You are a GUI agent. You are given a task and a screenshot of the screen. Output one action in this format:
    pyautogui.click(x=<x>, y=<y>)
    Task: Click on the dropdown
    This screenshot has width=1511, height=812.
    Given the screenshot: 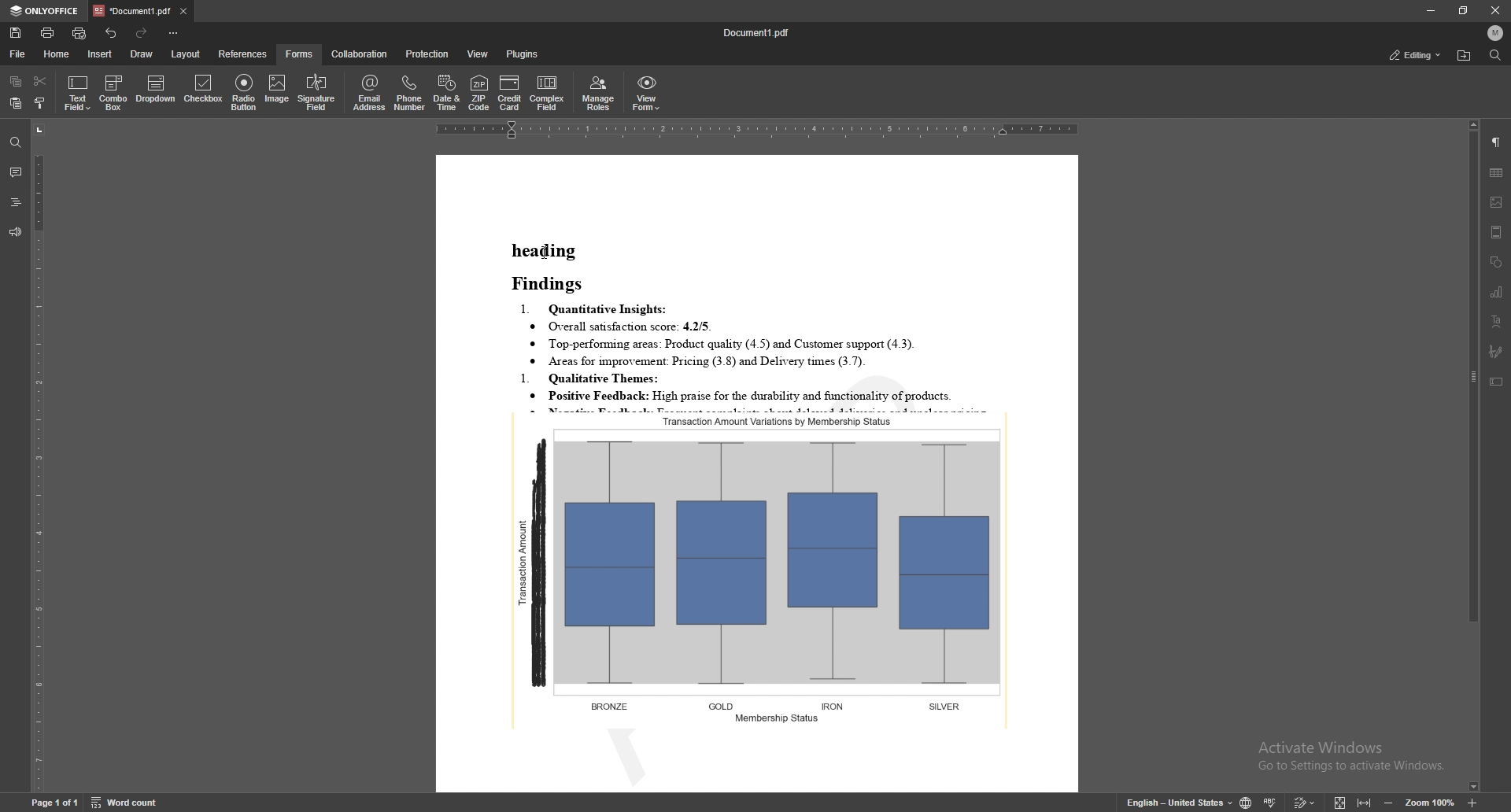 What is the action you would take?
    pyautogui.click(x=157, y=91)
    